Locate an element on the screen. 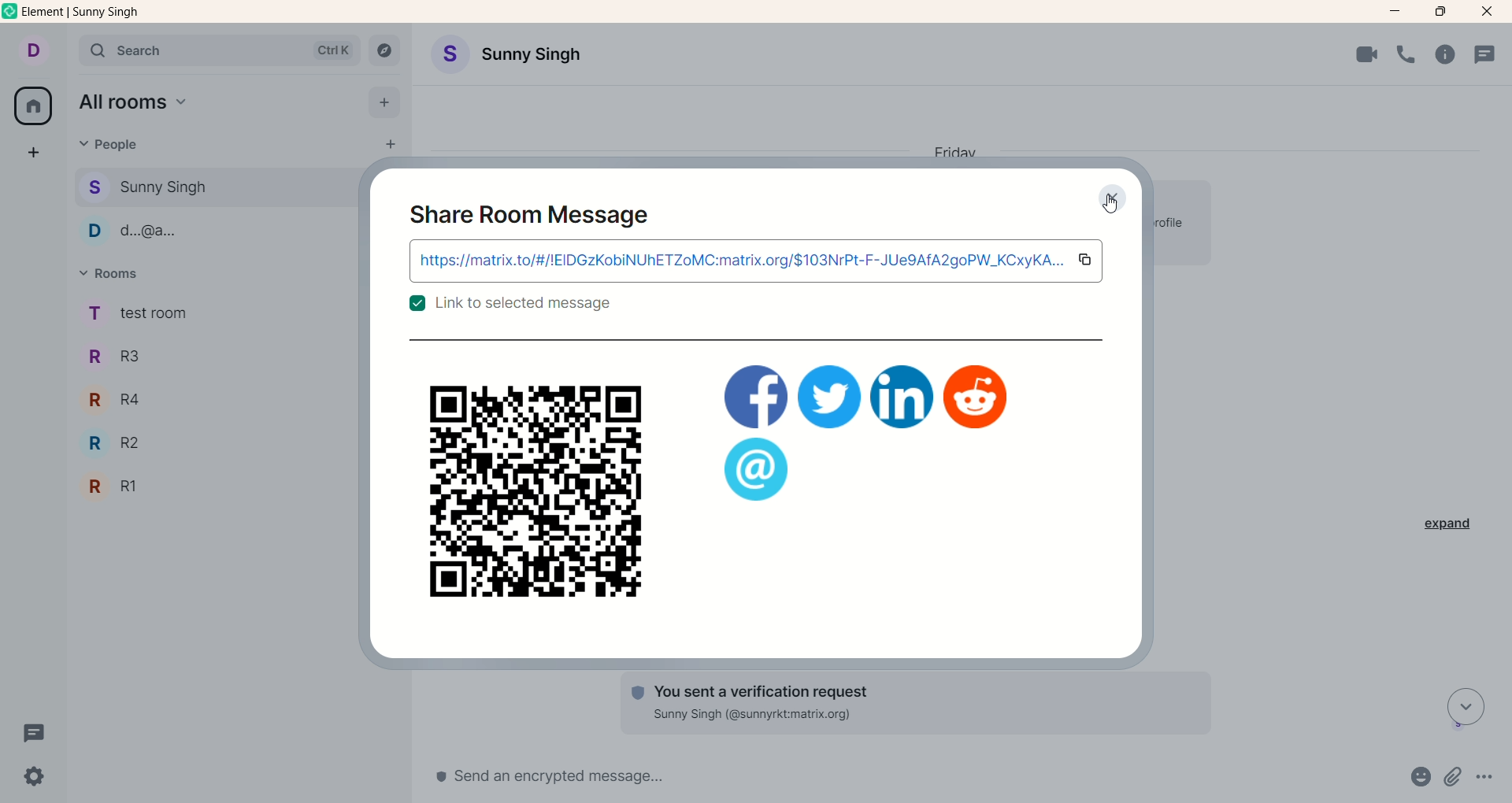  expand is located at coordinates (1450, 526).